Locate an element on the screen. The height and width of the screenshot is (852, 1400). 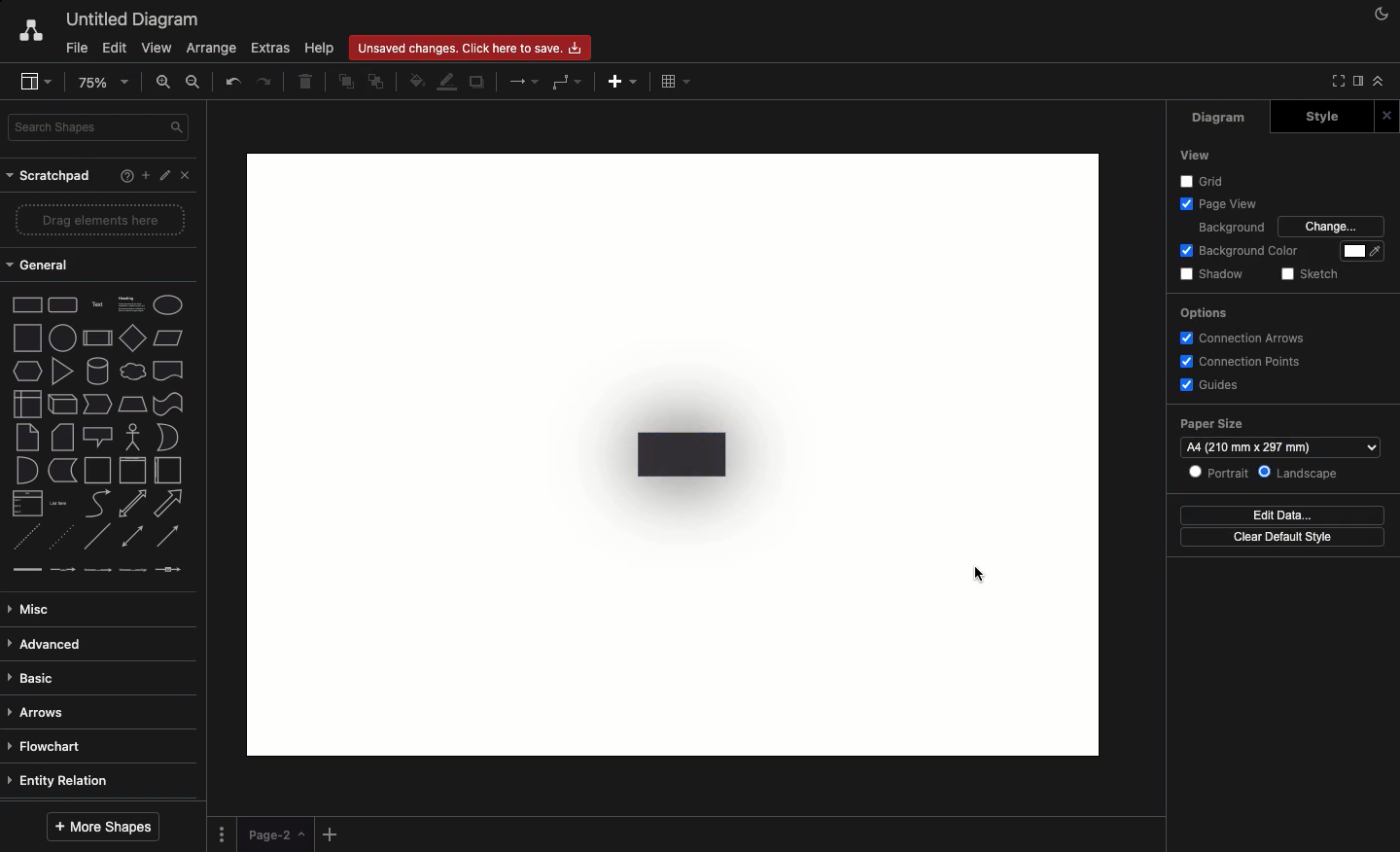
or is located at coordinates (172, 437).